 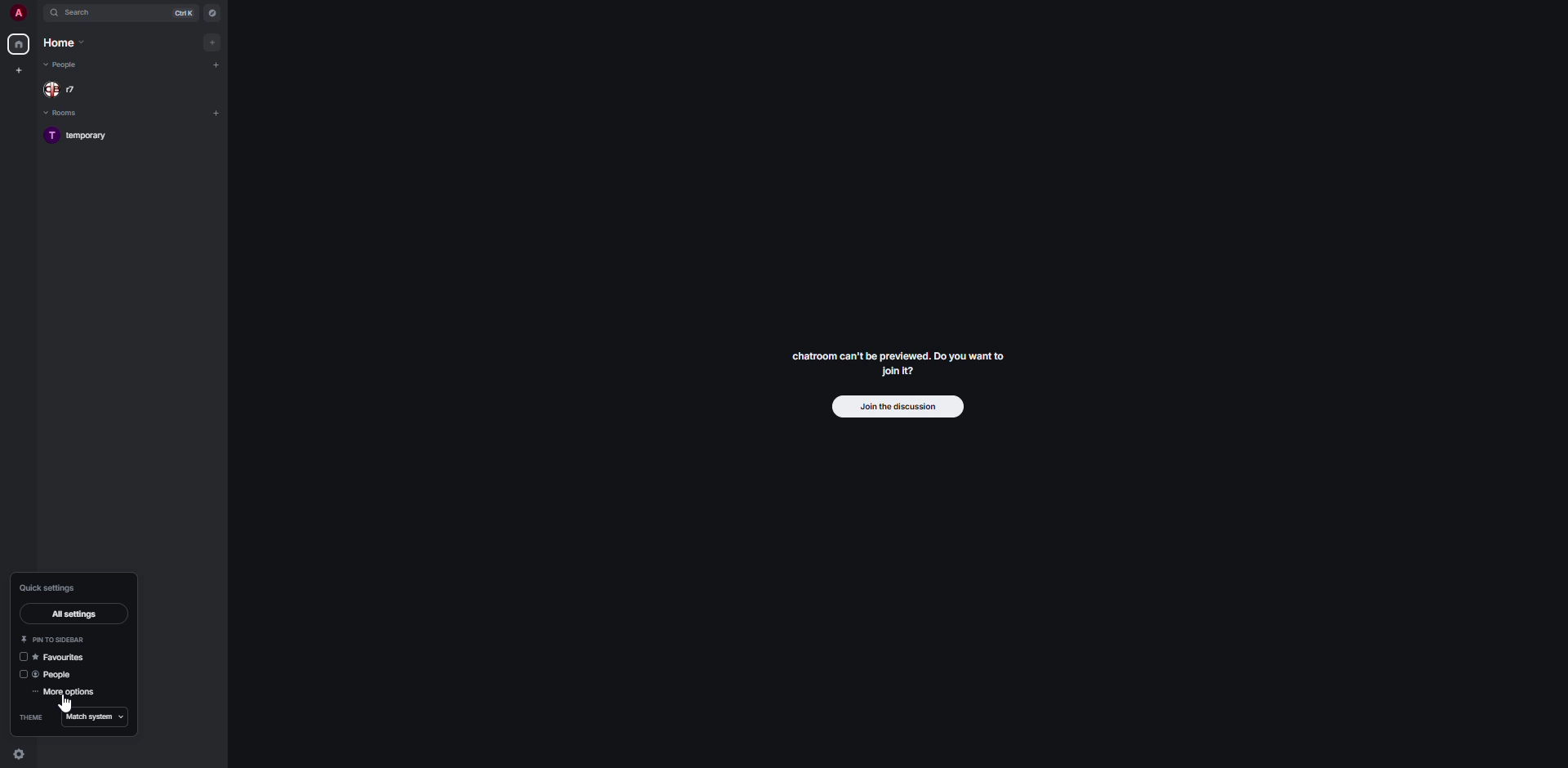 What do you see at coordinates (29, 716) in the screenshot?
I see `theme` at bounding box center [29, 716].